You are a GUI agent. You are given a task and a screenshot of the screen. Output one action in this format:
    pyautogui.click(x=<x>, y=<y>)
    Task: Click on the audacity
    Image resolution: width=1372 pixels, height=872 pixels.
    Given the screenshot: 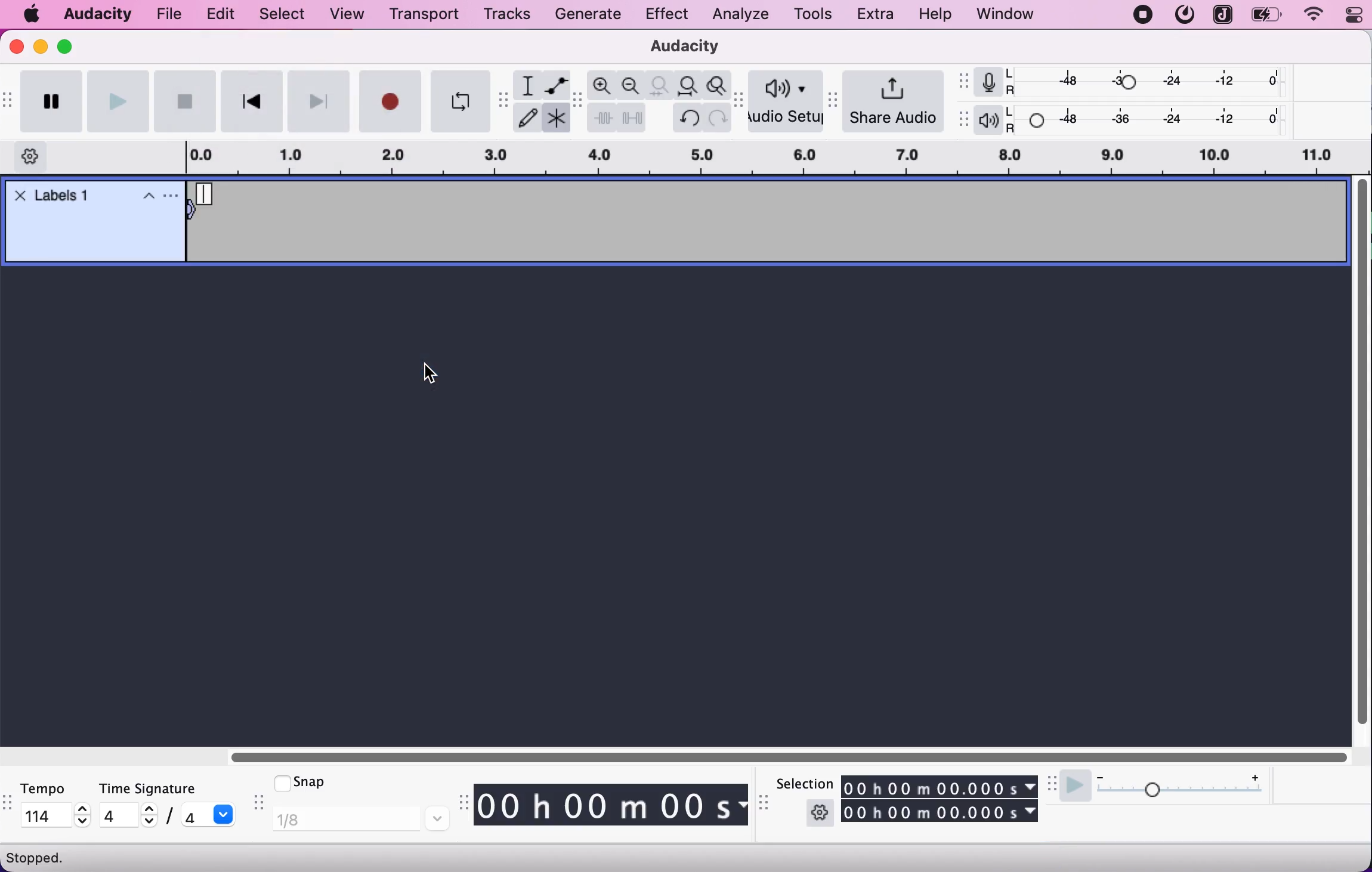 What is the action you would take?
    pyautogui.click(x=98, y=14)
    